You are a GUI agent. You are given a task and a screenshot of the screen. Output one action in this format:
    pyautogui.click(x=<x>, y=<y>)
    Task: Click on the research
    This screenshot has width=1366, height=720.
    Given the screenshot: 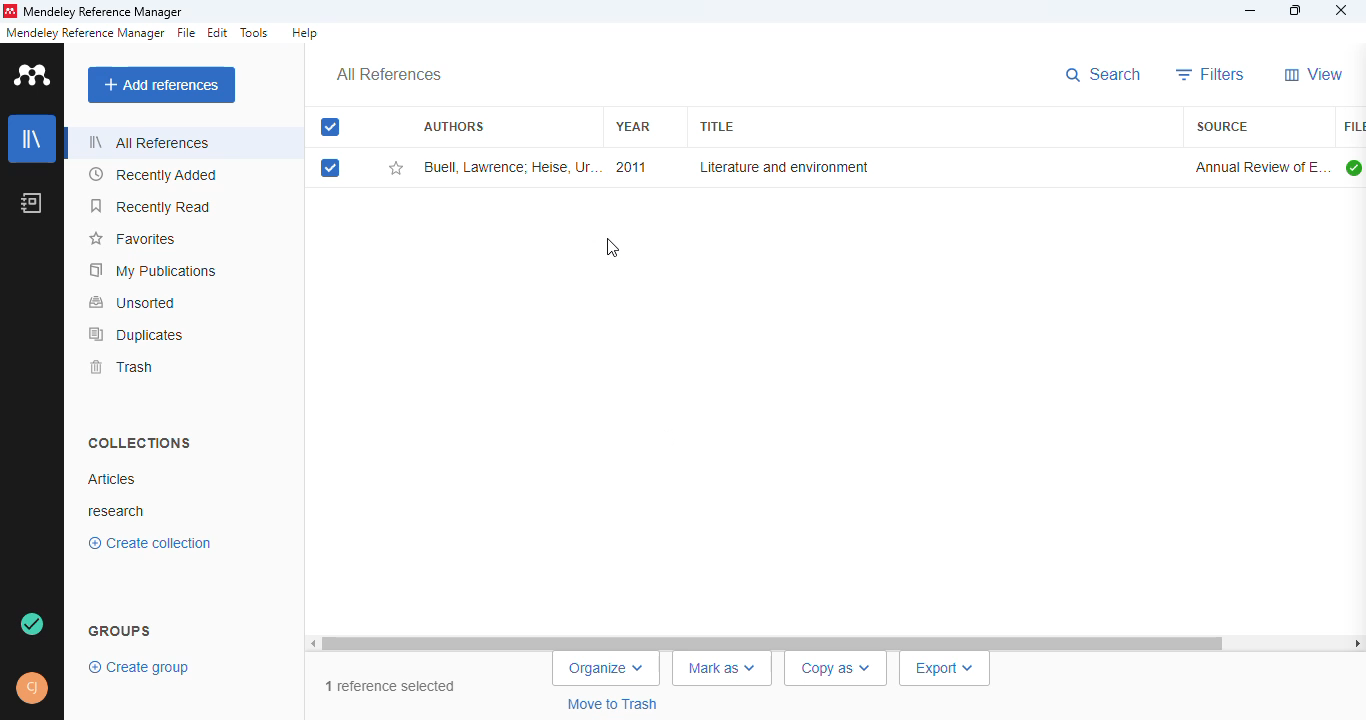 What is the action you would take?
    pyautogui.click(x=150, y=510)
    